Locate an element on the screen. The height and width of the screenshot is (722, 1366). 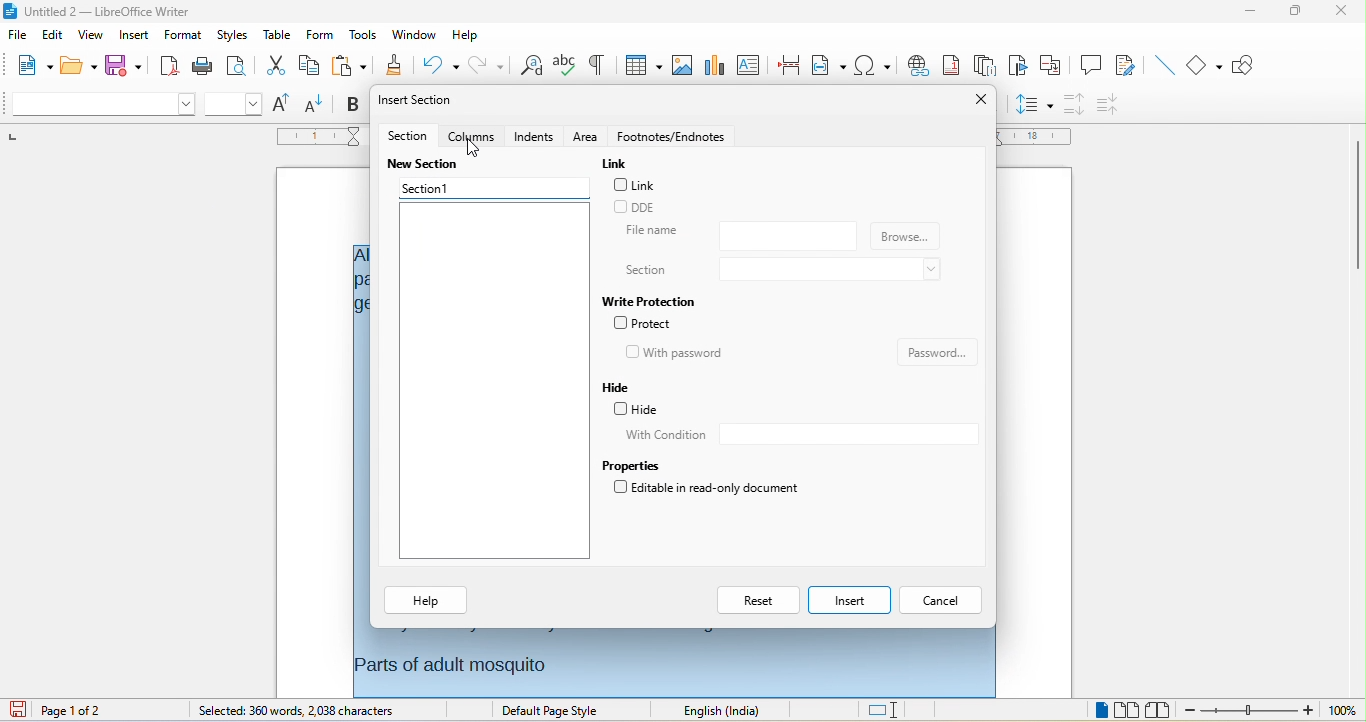
selected: 360 words,2038 characters is located at coordinates (295, 711).